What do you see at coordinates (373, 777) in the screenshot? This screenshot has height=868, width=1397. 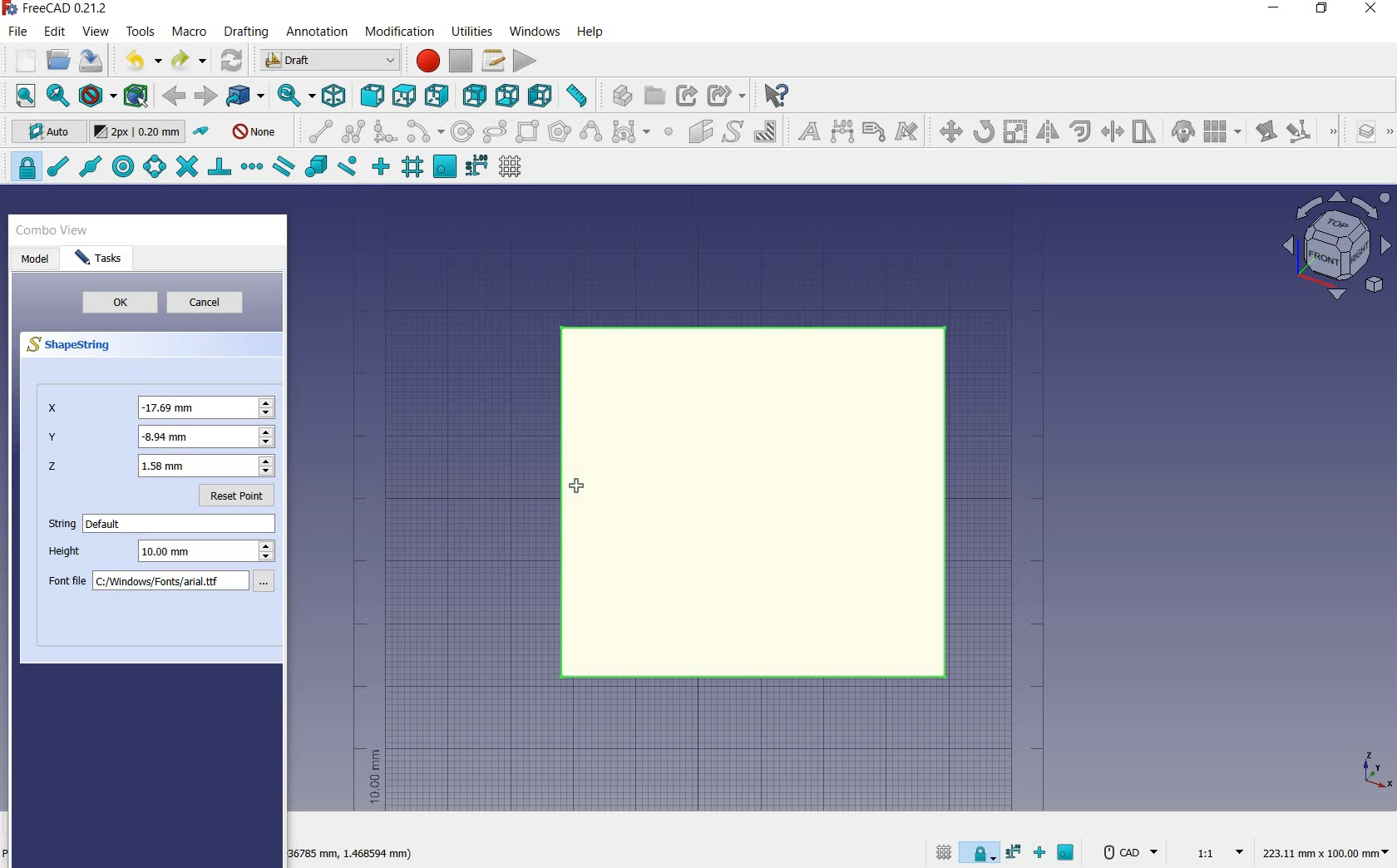 I see `10mm` at bounding box center [373, 777].